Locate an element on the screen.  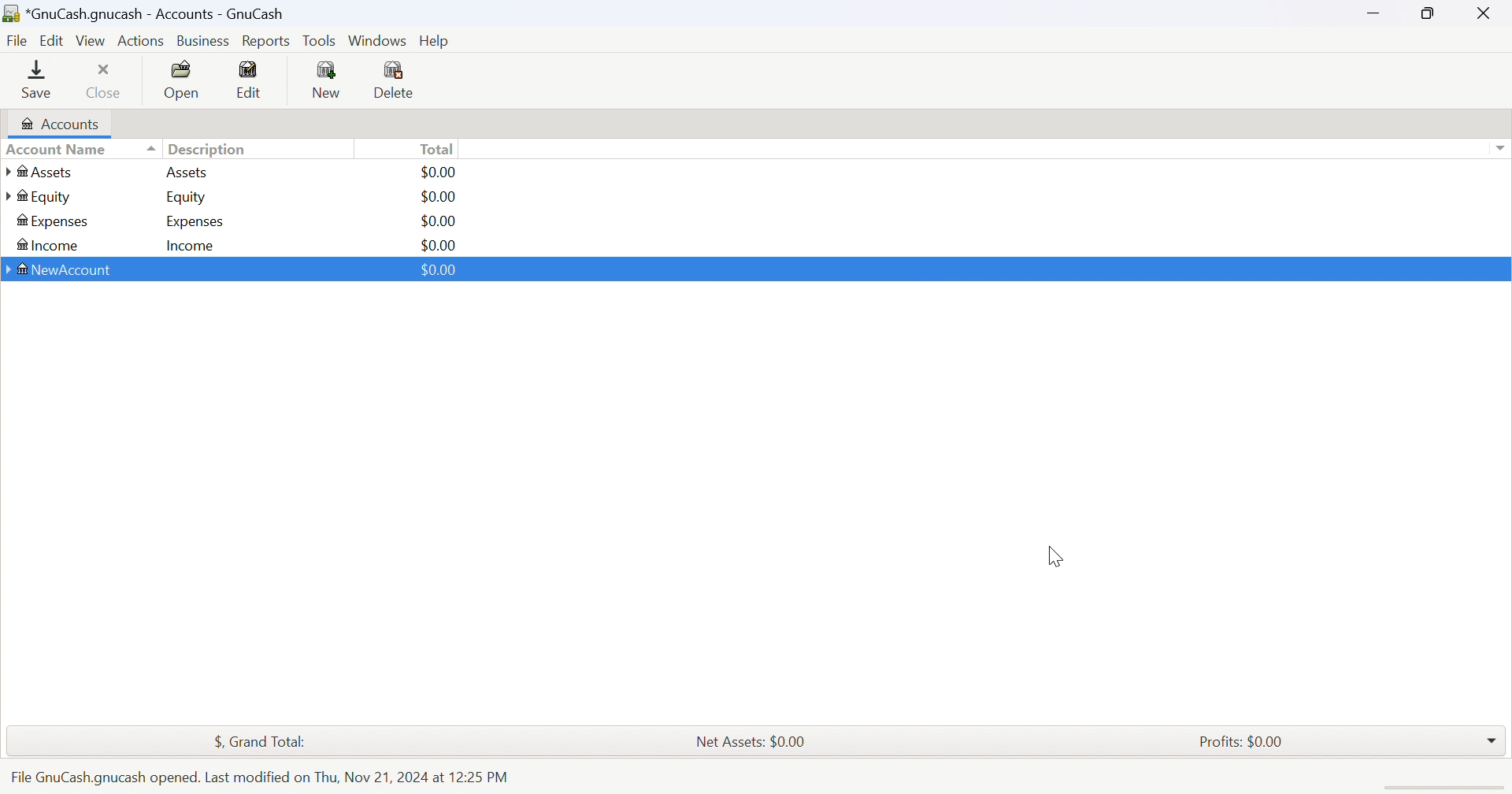
Assets is located at coordinates (48, 172).